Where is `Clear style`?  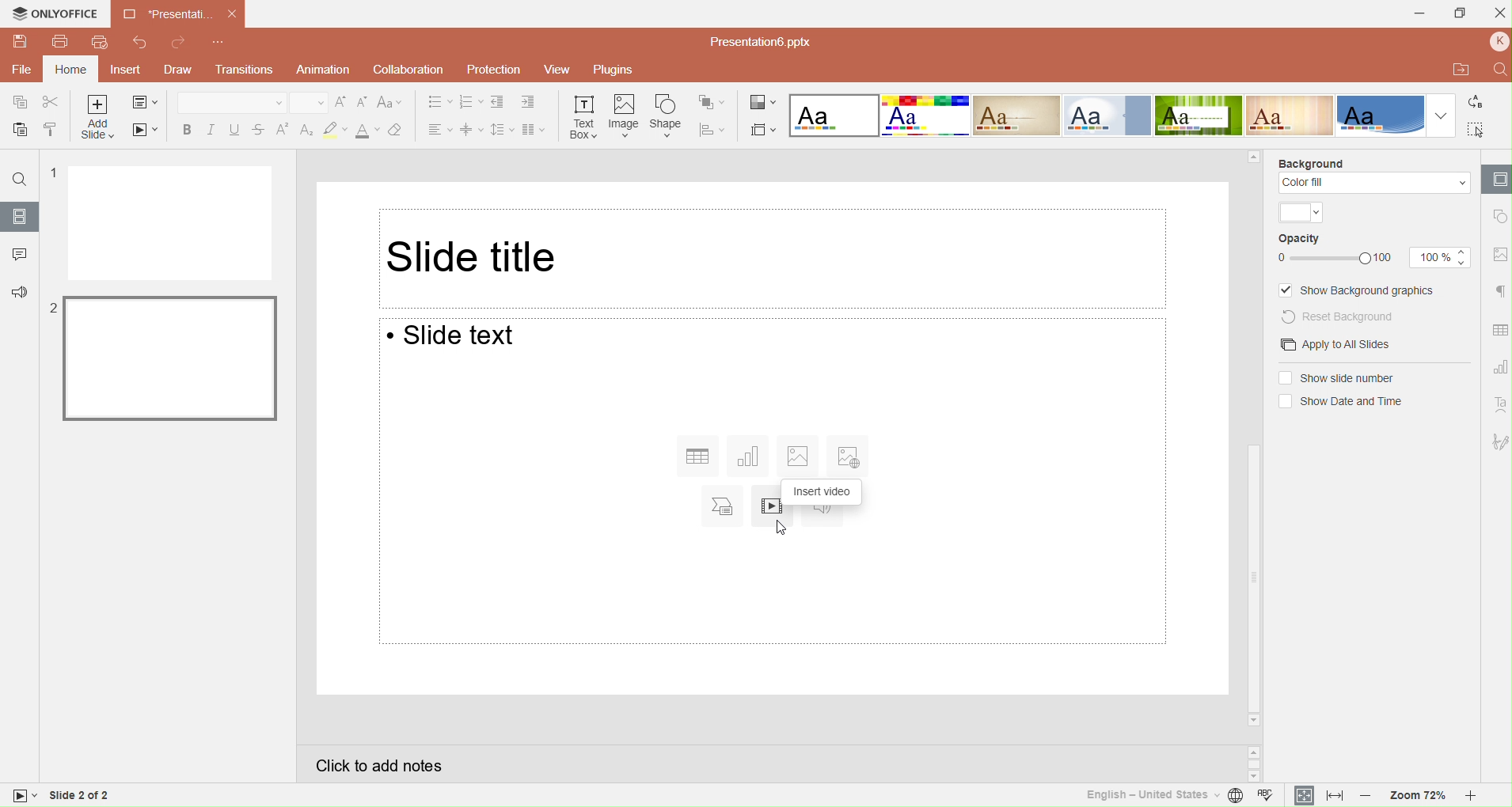
Clear style is located at coordinates (335, 128).